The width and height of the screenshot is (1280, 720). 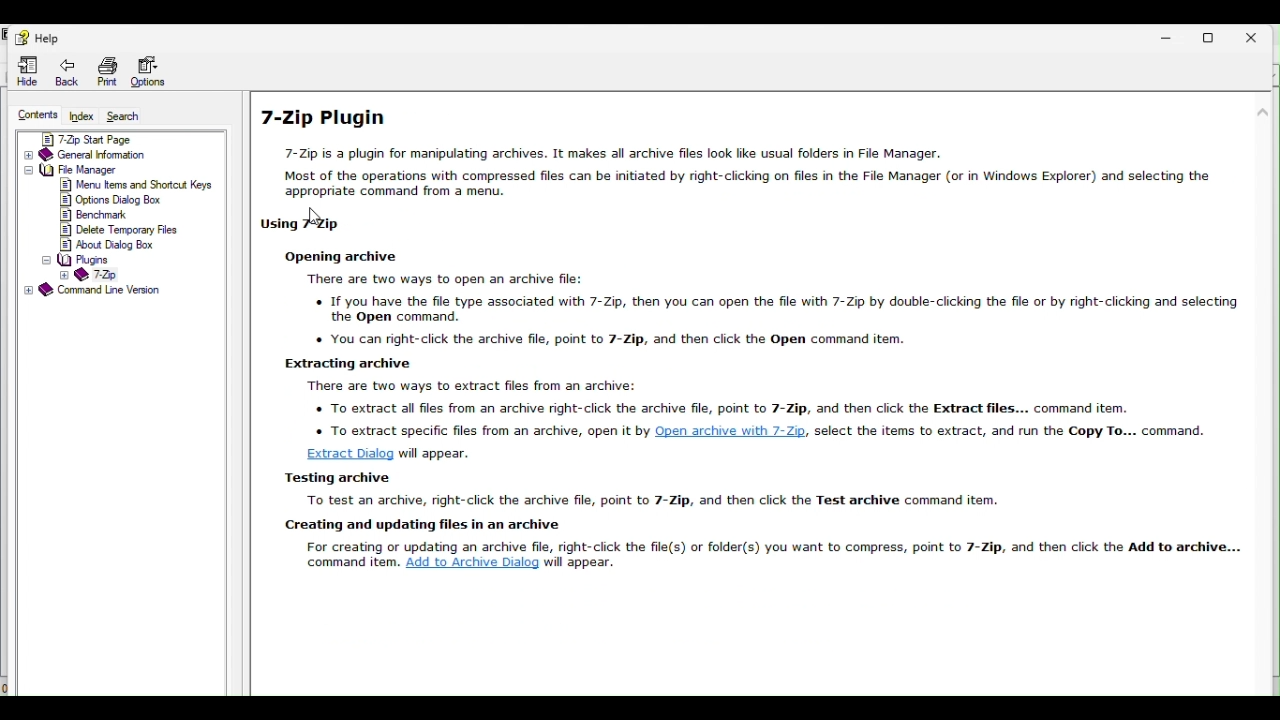 I want to click on file manager, so click(x=81, y=170).